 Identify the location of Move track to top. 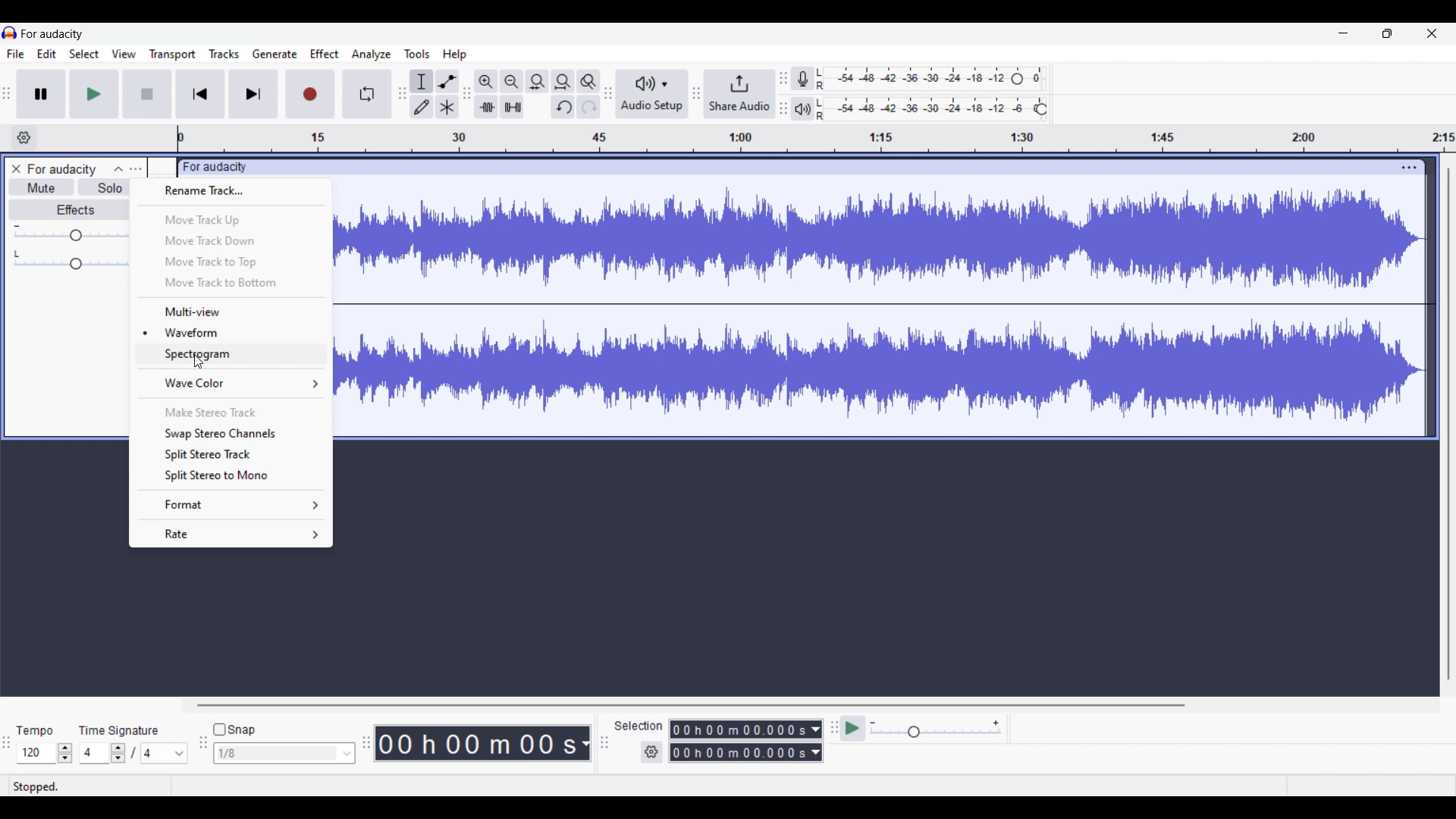
(234, 262).